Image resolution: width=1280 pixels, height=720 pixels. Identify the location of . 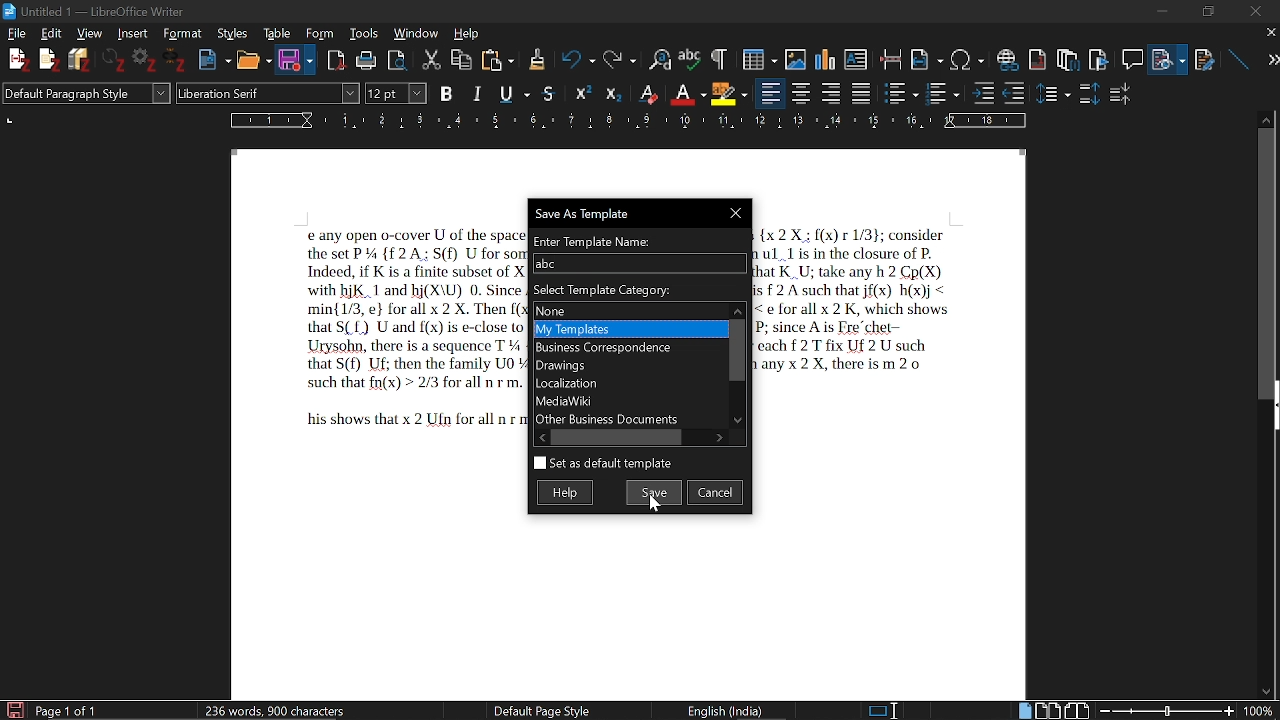
(116, 61).